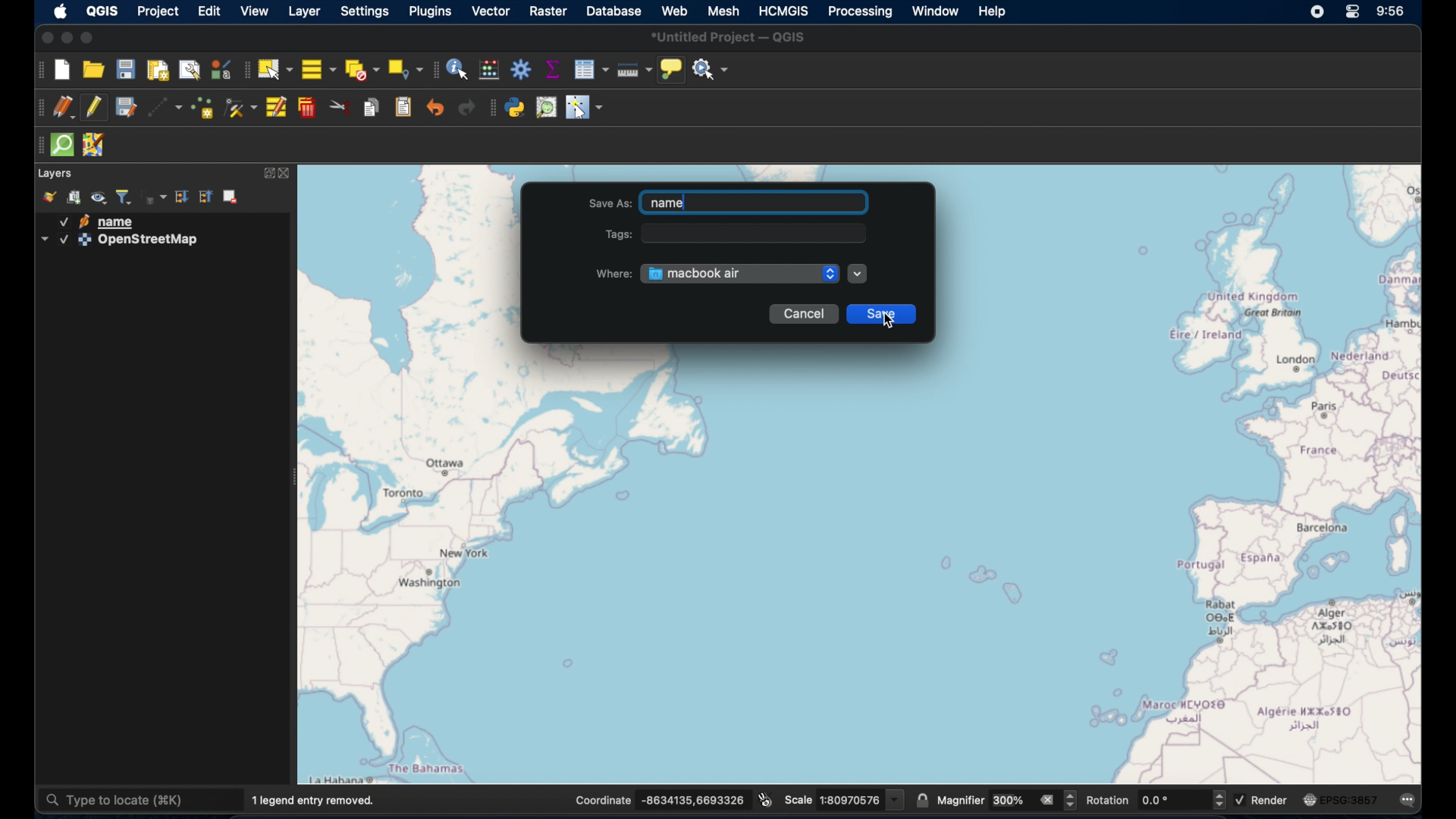  What do you see at coordinates (234, 196) in the screenshot?
I see `remove layer/group` at bounding box center [234, 196].